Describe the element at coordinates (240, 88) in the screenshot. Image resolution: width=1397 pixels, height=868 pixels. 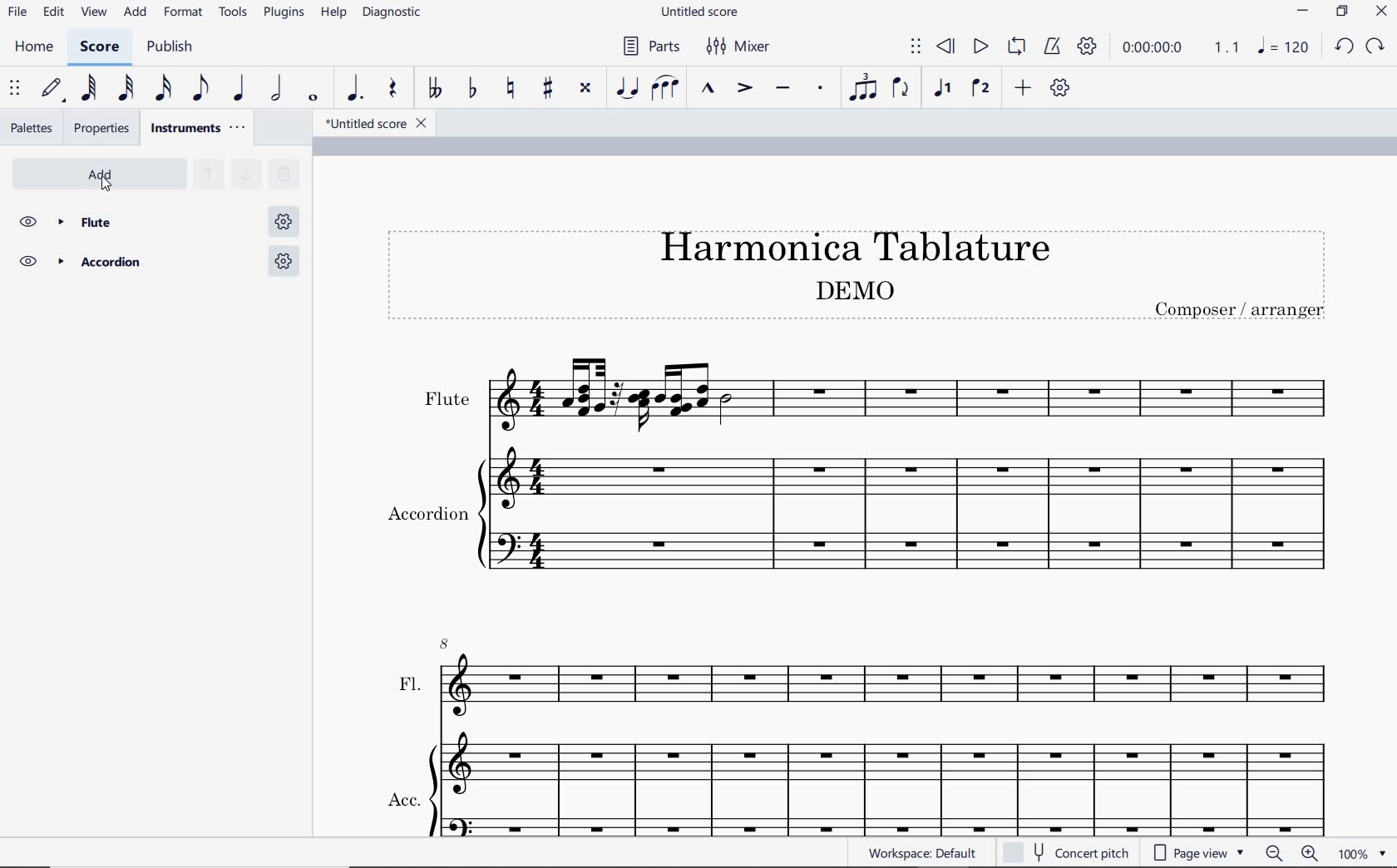
I see `quarter note` at that location.